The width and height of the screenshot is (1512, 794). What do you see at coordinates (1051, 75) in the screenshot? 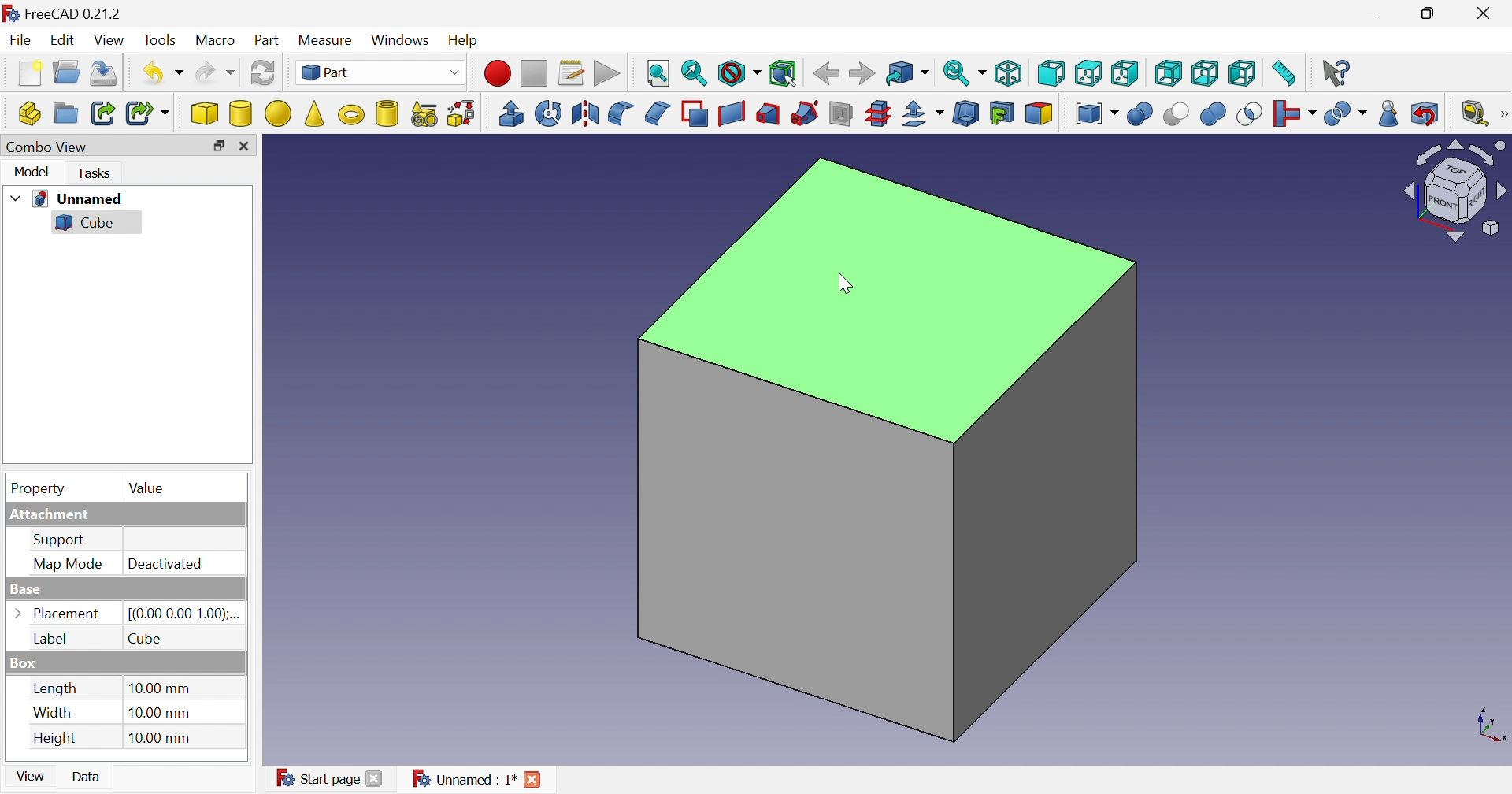
I see `Front` at bounding box center [1051, 75].